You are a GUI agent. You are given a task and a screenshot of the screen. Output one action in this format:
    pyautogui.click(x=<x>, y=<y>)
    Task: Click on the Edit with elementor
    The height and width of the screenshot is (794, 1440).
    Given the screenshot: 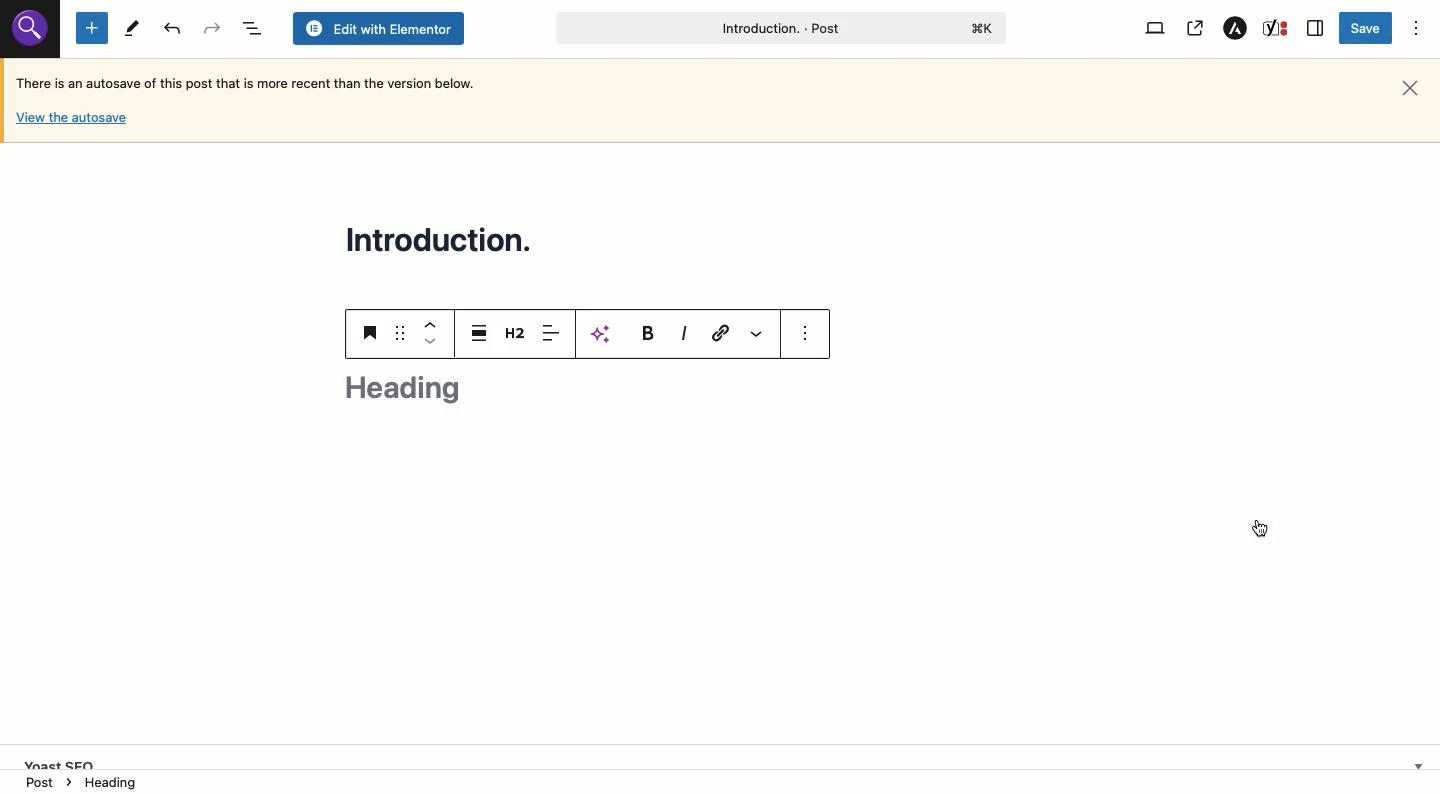 What is the action you would take?
    pyautogui.click(x=378, y=29)
    